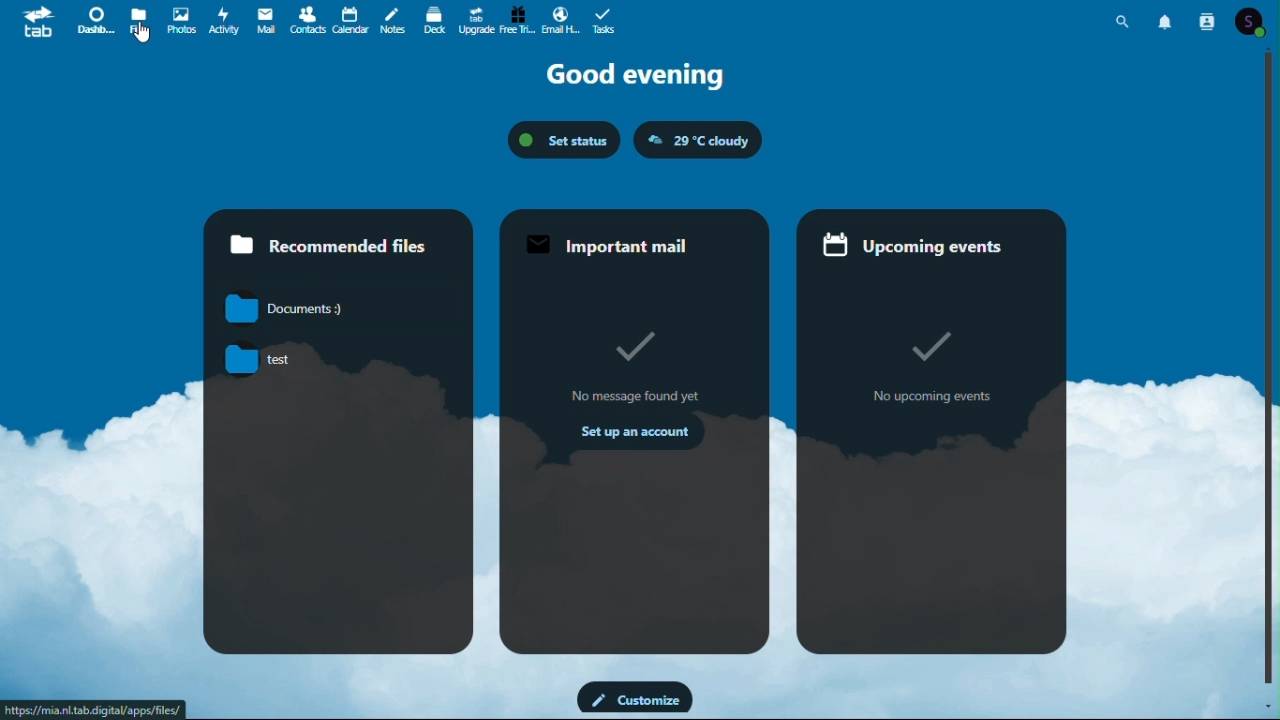  Describe the element at coordinates (628, 344) in the screenshot. I see `Visuals` at that location.